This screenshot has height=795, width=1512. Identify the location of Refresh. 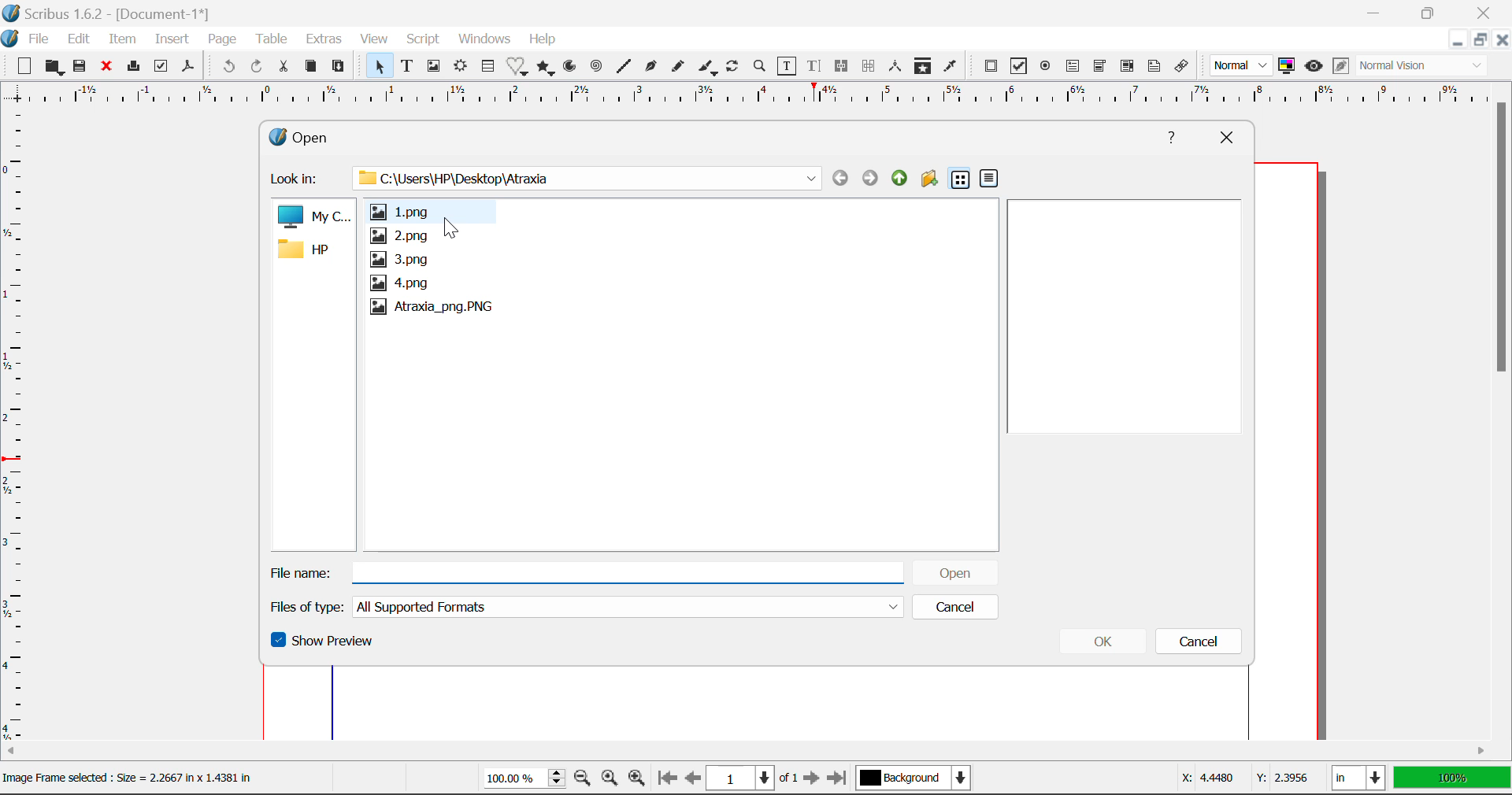
(736, 68).